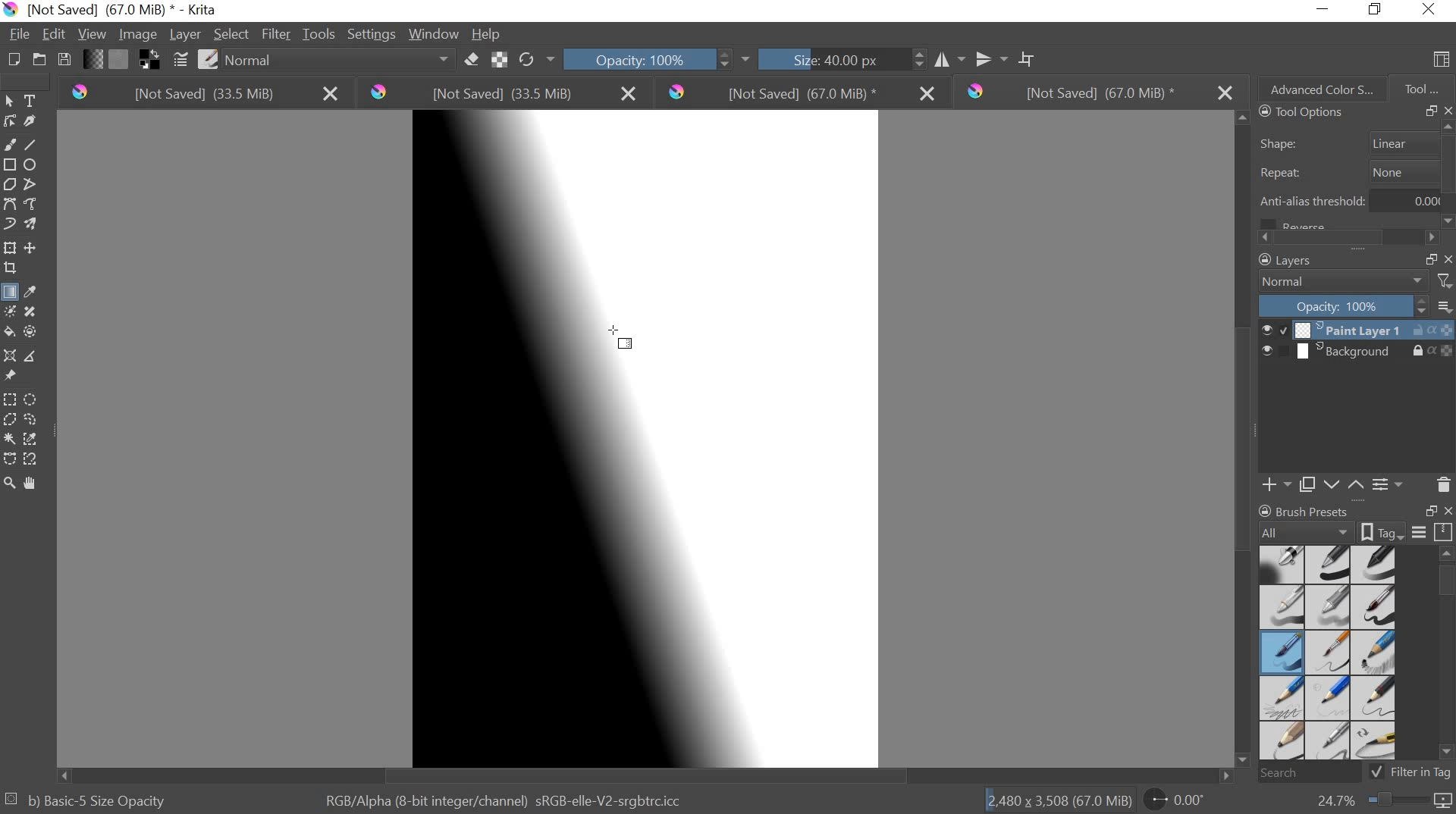 Image resolution: width=1456 pixels, height=814 pixels. Describe the element at coordinates (12, 205) in the screenshot. I see `bezier curve` at that location.